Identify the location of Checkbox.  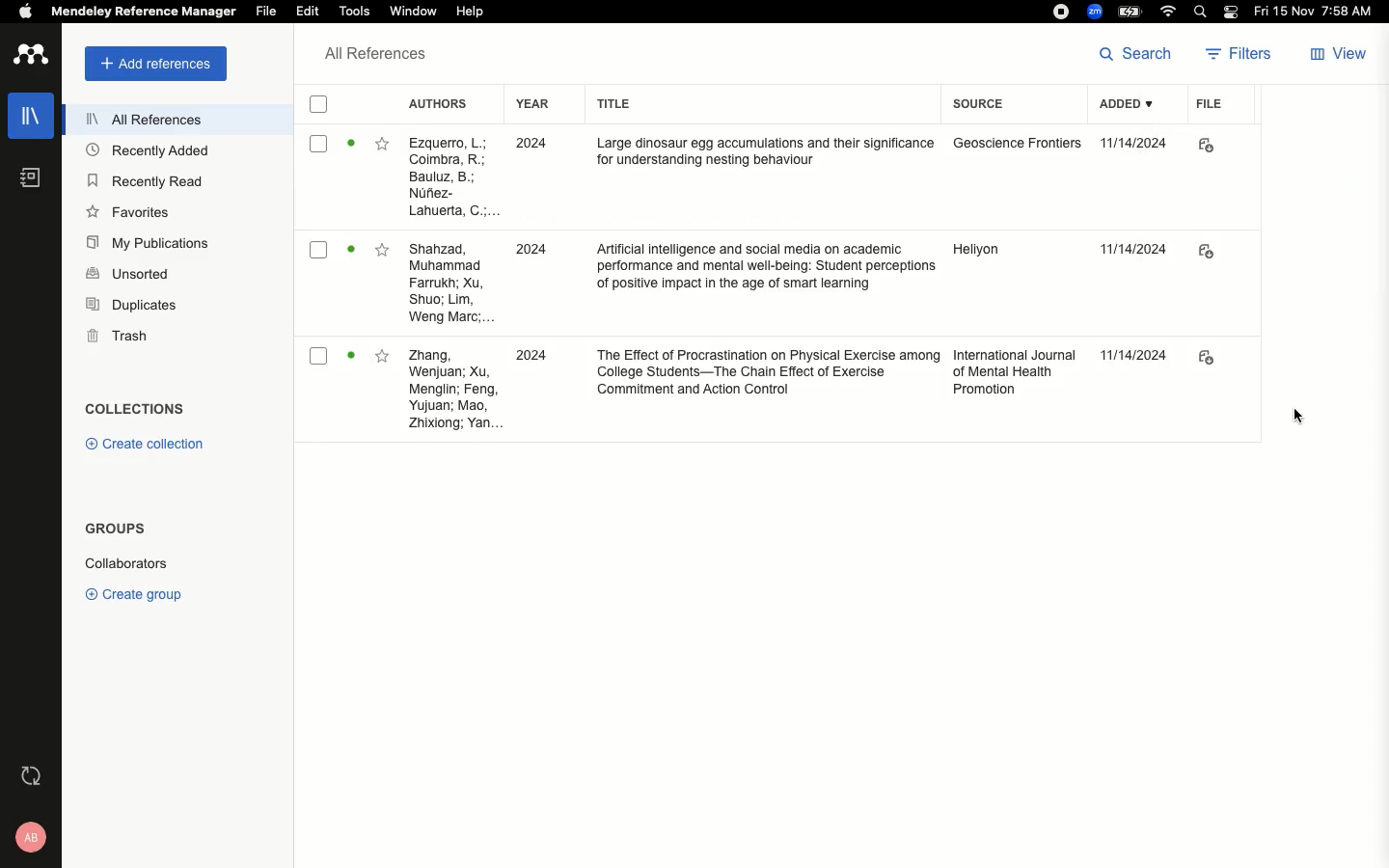
(319, 249).